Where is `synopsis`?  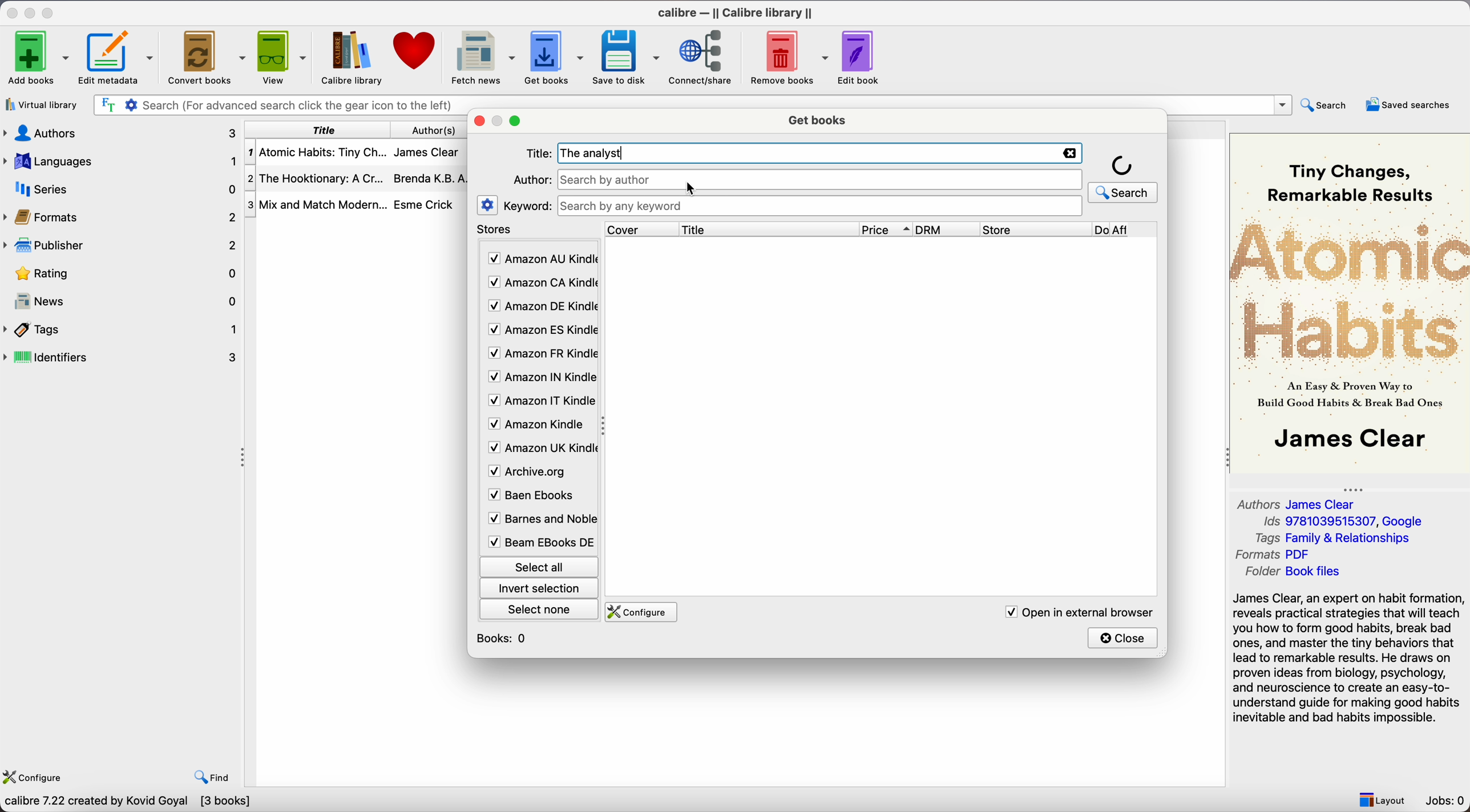
synopsis is located at coordinates (1350, 658).